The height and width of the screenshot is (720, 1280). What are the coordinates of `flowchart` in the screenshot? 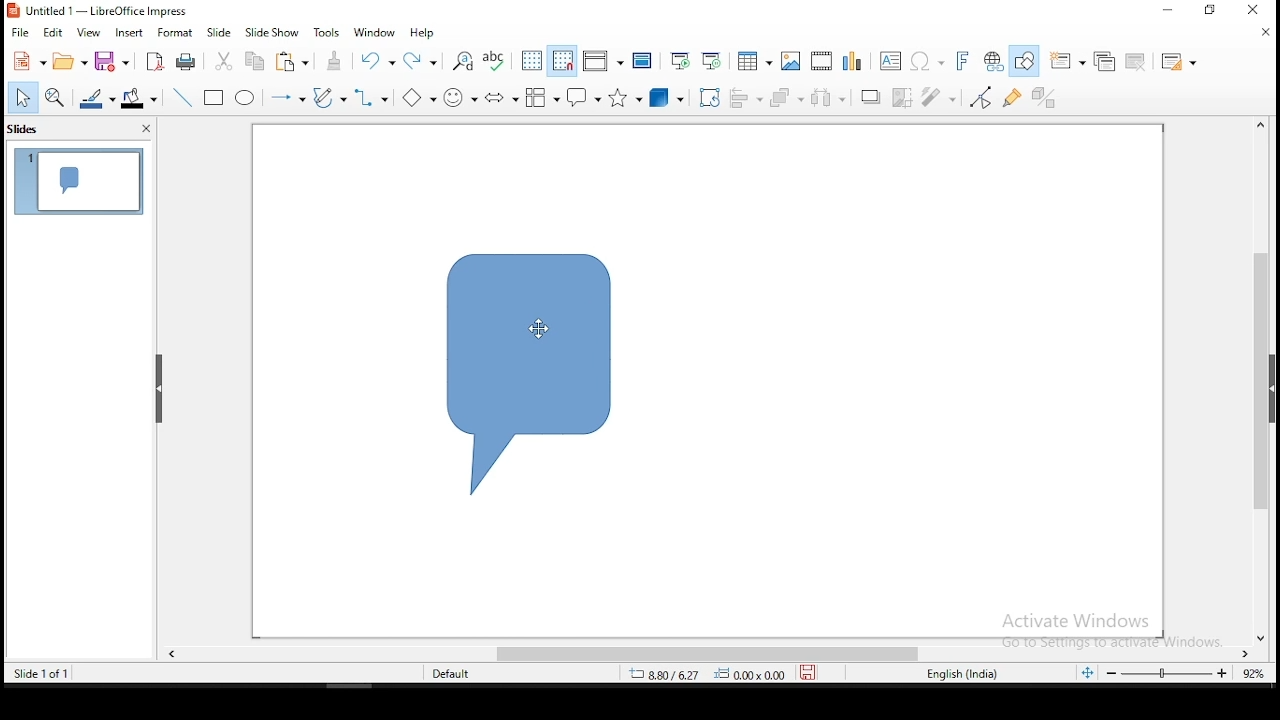 It's located at (542, 98).